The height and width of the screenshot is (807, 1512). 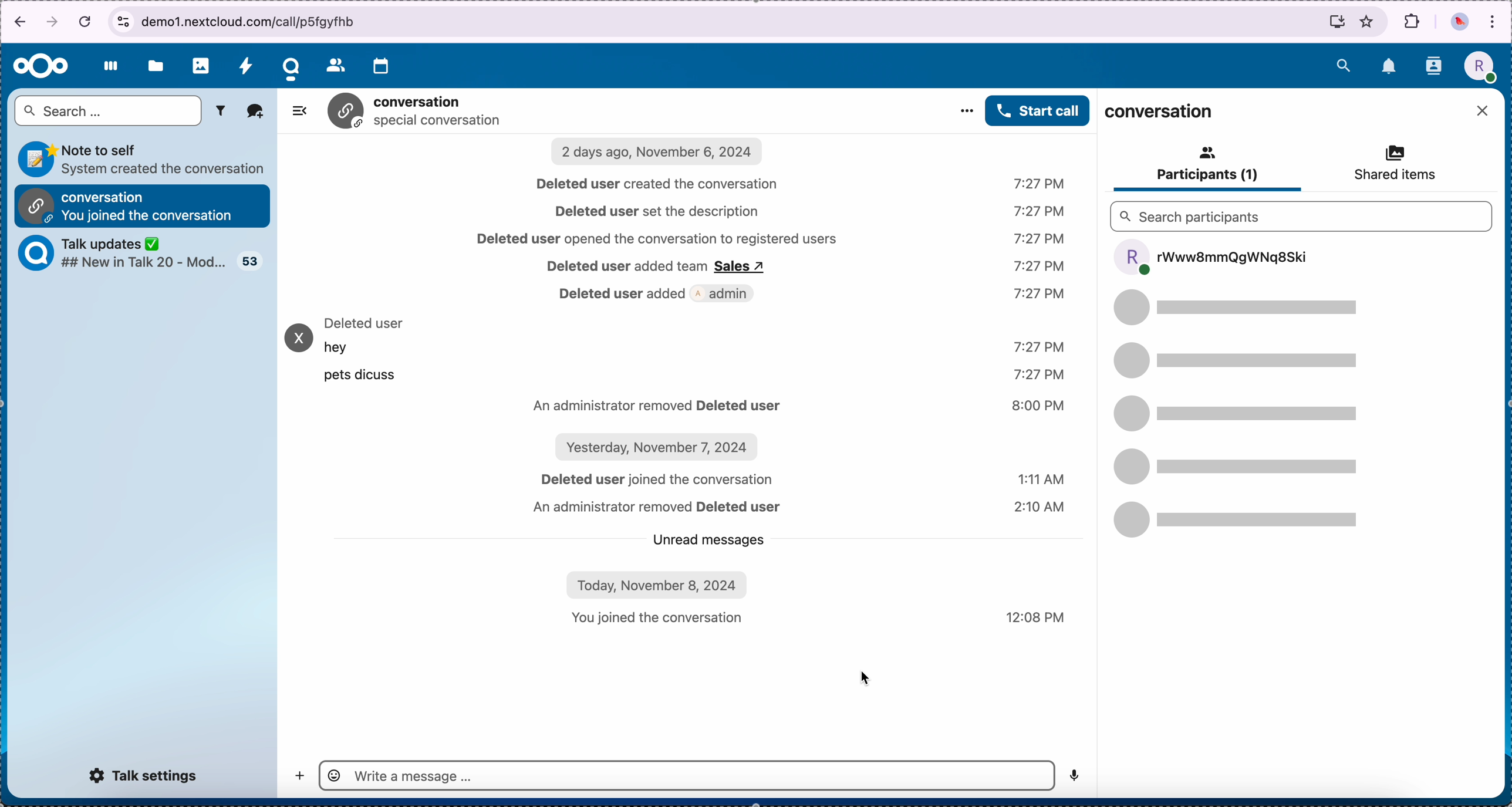 What do you see at coordinates (1206, 165) in the screenshot?
I see `participants` at bounding box center [1206, 165].